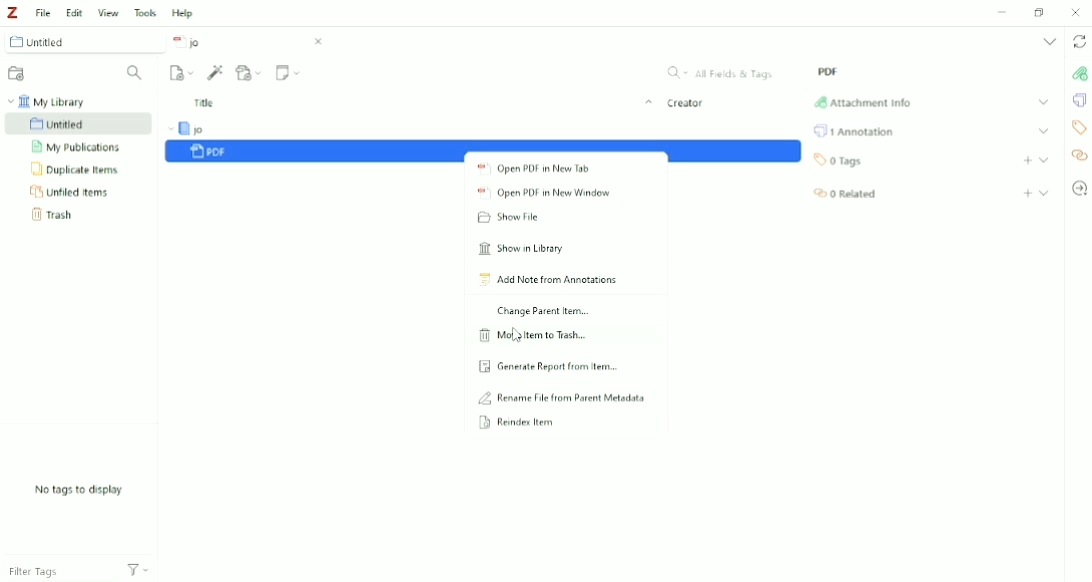  What do you see at coordinates (138, 74) in the screenshot?
I see `Filter Collections` at bounding box center [138, 74].